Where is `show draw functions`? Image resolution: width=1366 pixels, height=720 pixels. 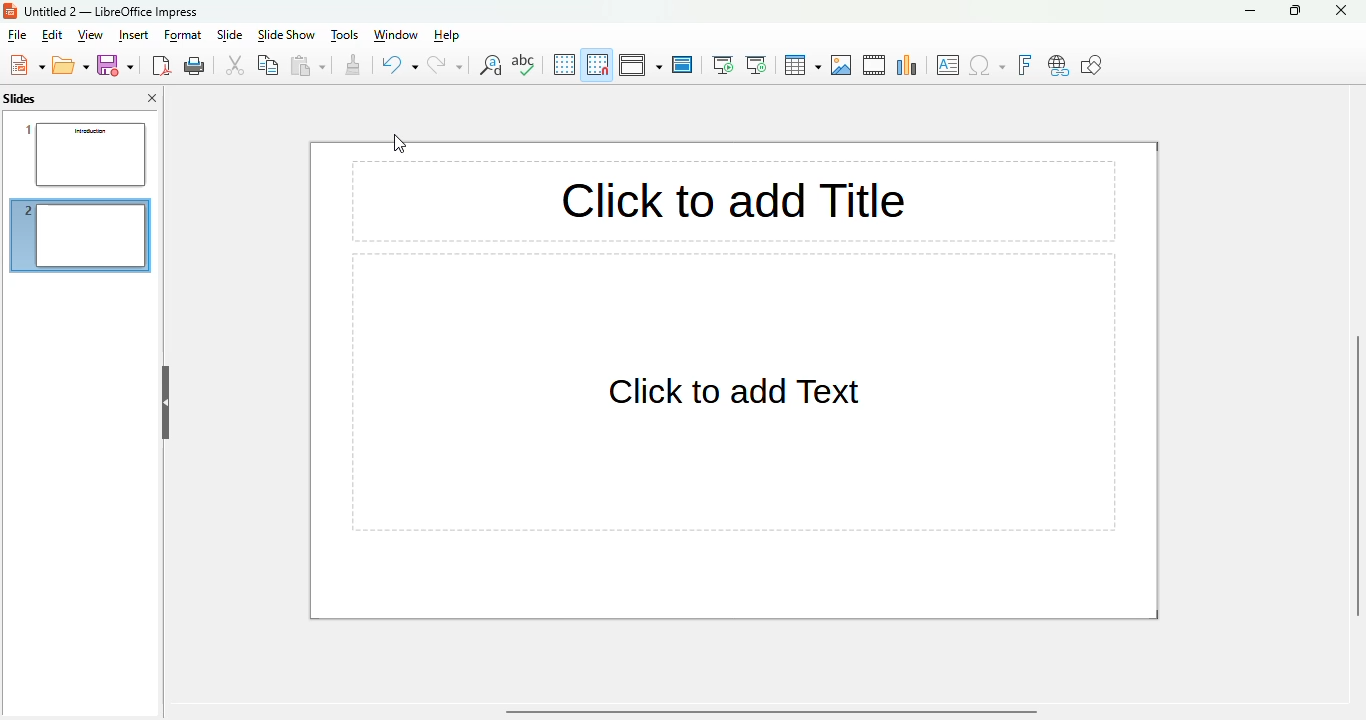
show draw functions is located at coordinates (1091, 64).